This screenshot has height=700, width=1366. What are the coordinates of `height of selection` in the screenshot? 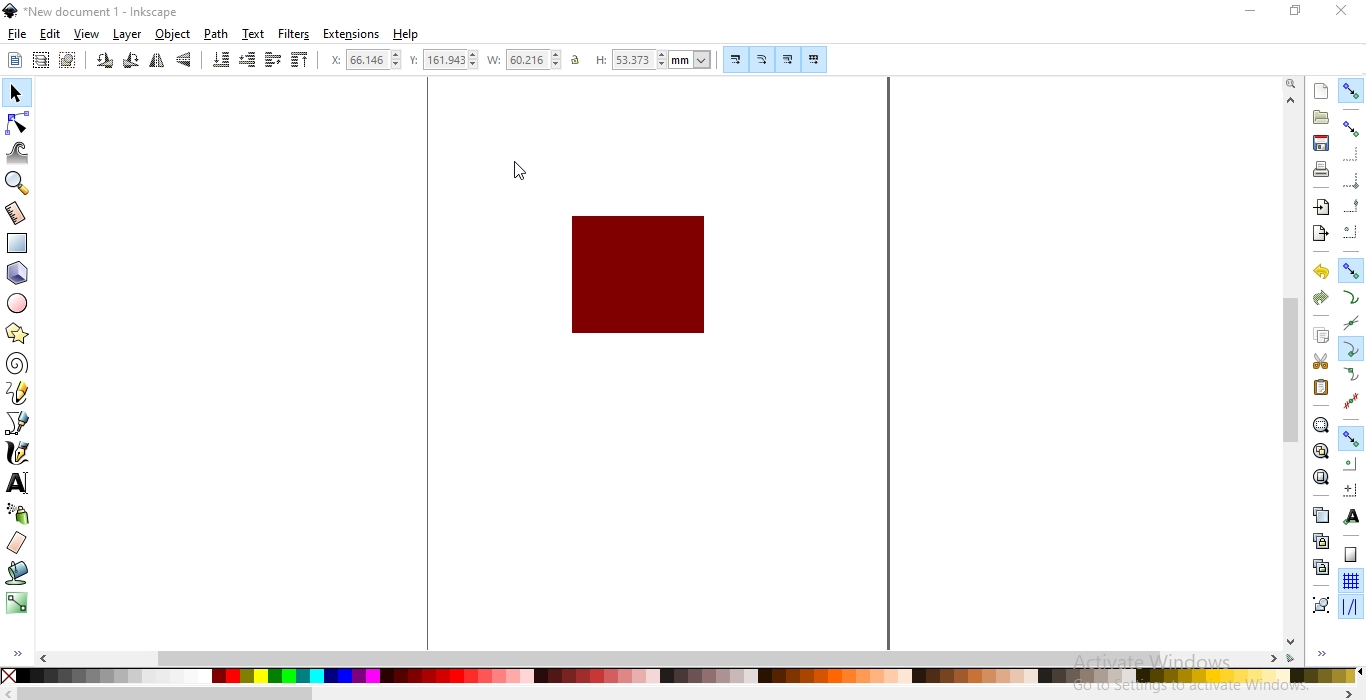 It's located at (598, 60).